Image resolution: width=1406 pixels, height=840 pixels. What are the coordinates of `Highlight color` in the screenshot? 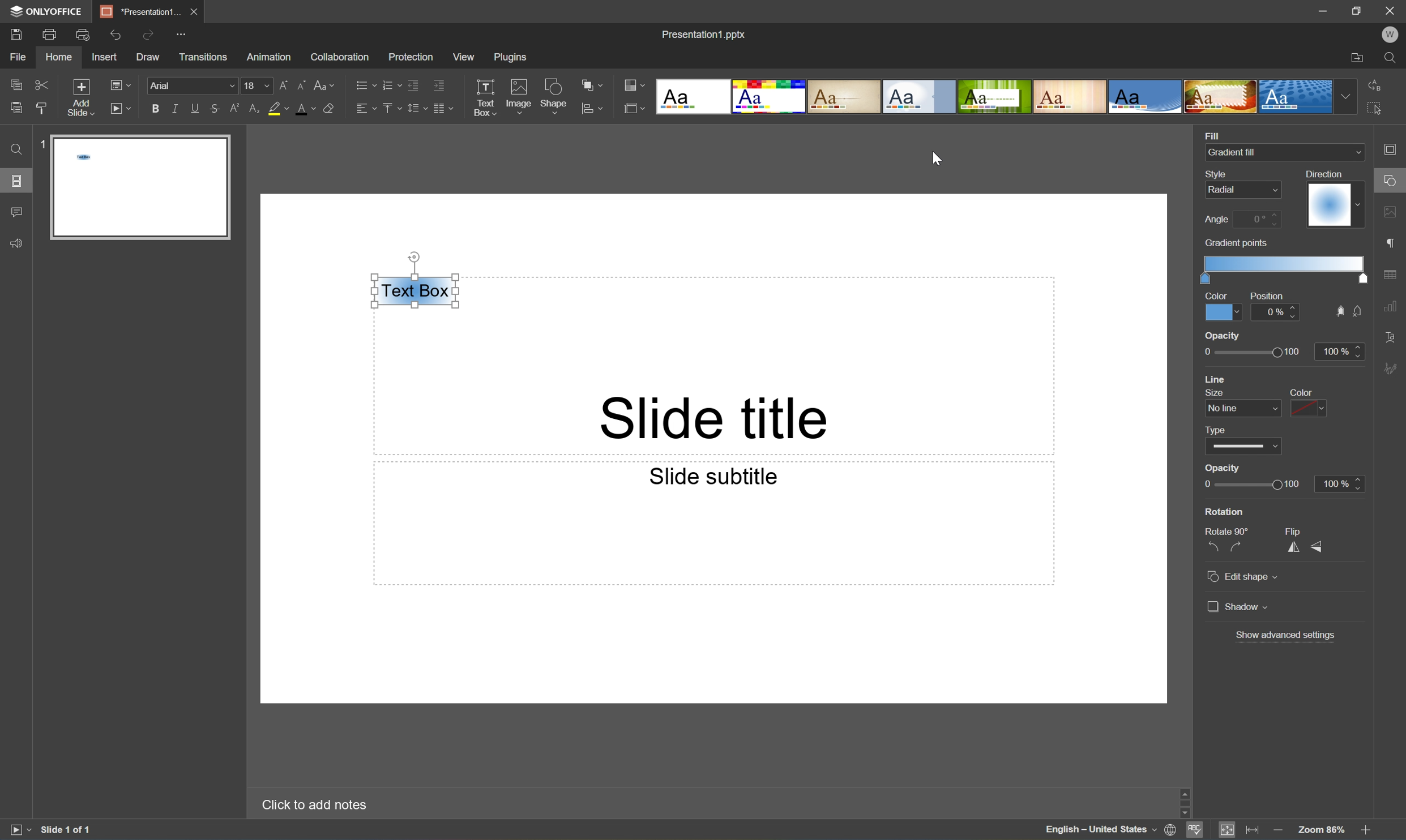 It's located at (276, 108).